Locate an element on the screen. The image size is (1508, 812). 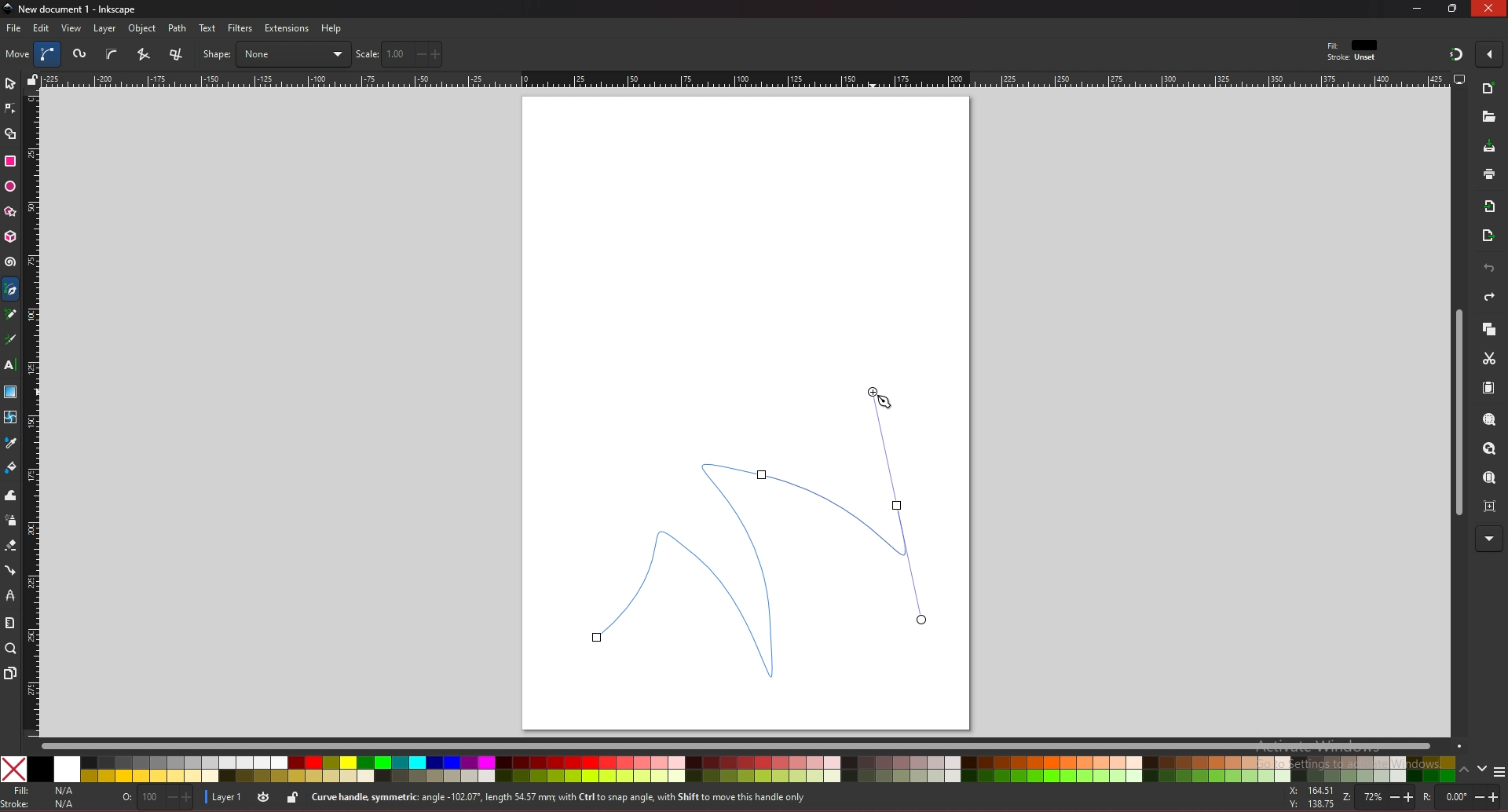
text is located at coordinates (207, 28).